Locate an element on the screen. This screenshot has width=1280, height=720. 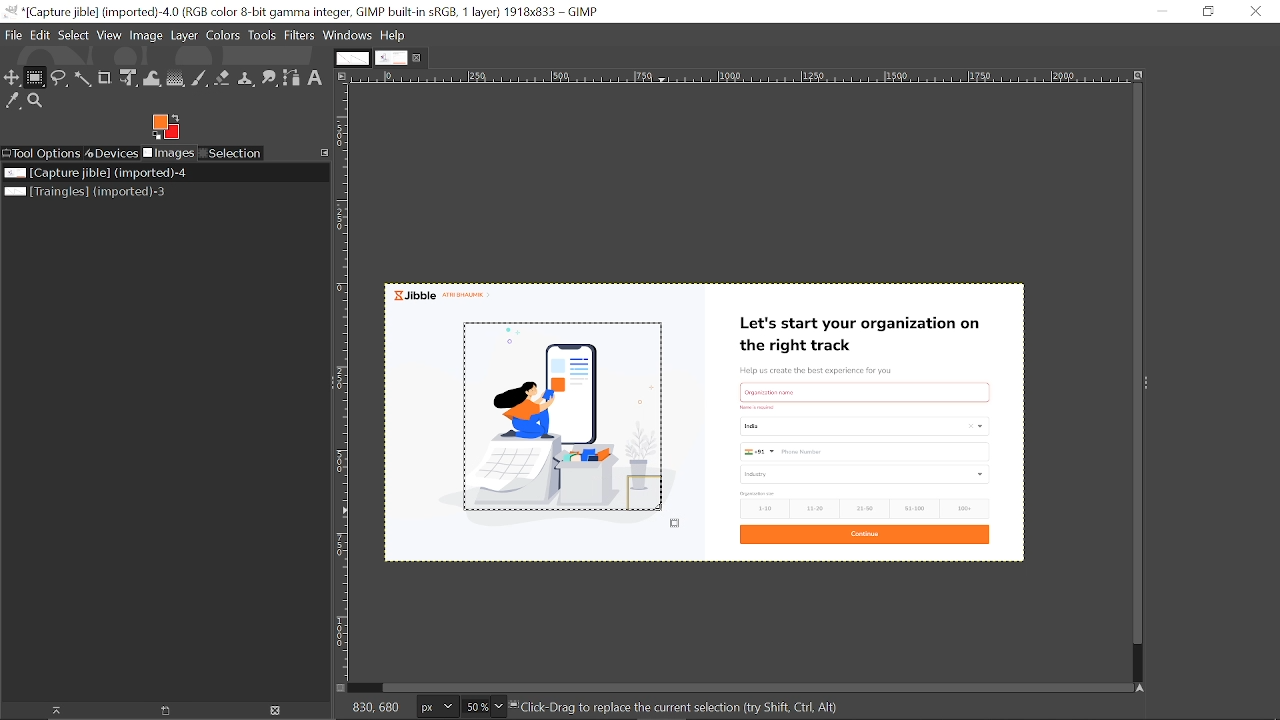
Paintbrush tool is located at coordinates (201, 77).